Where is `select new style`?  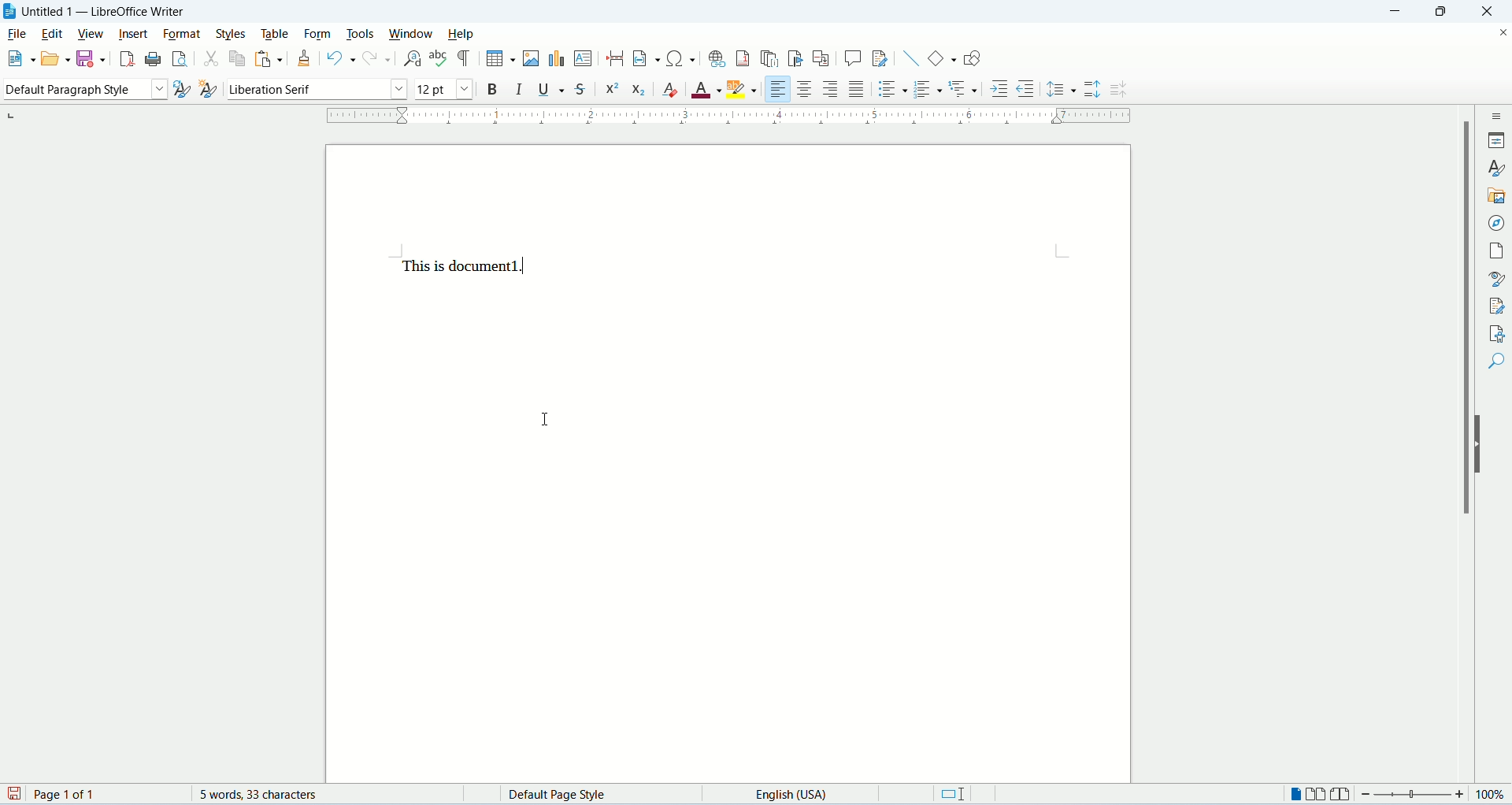 select new style is located at coordinates (206, 91).